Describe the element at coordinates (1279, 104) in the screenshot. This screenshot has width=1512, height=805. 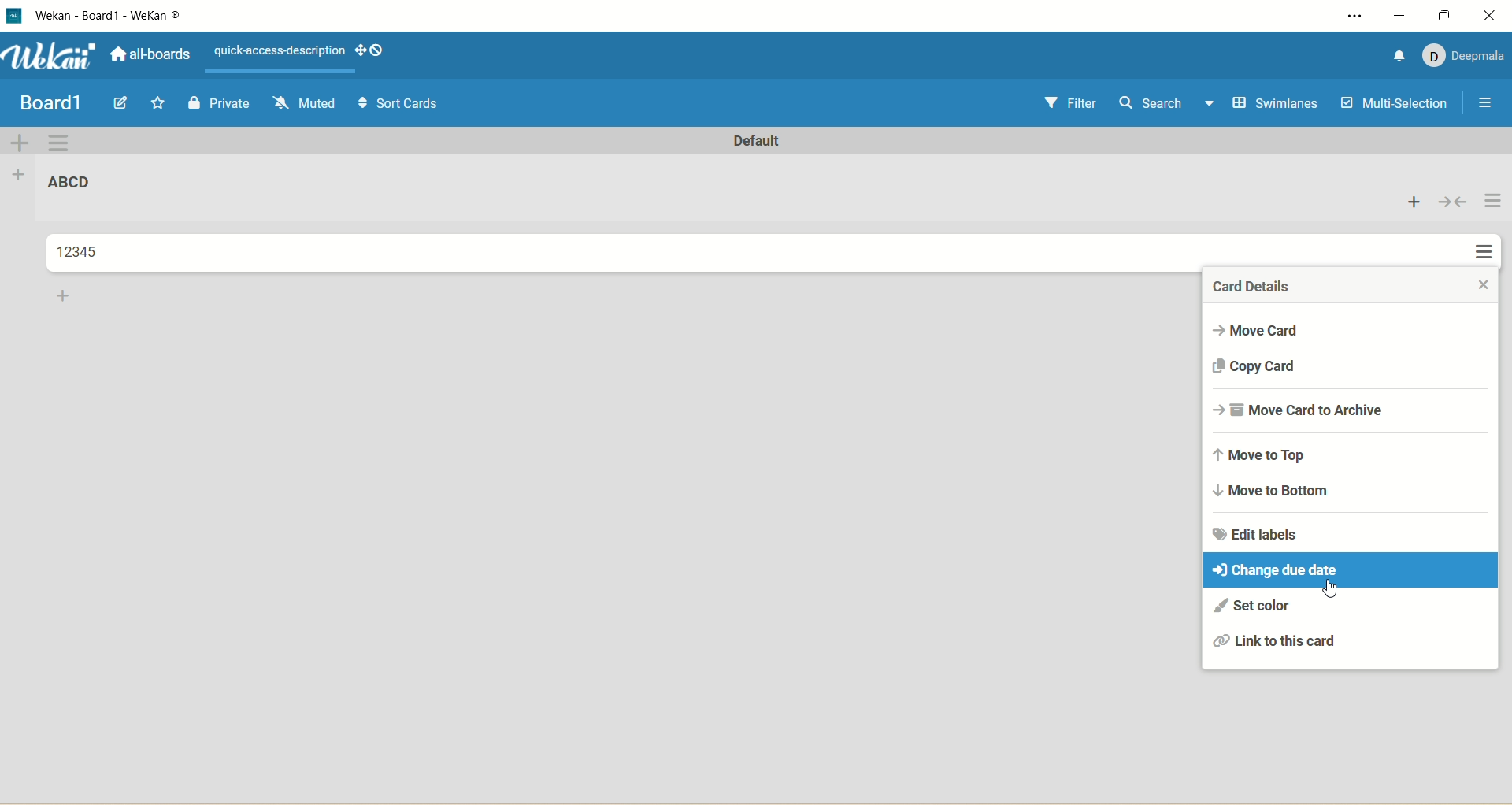
I see `swimlanes` at that location.